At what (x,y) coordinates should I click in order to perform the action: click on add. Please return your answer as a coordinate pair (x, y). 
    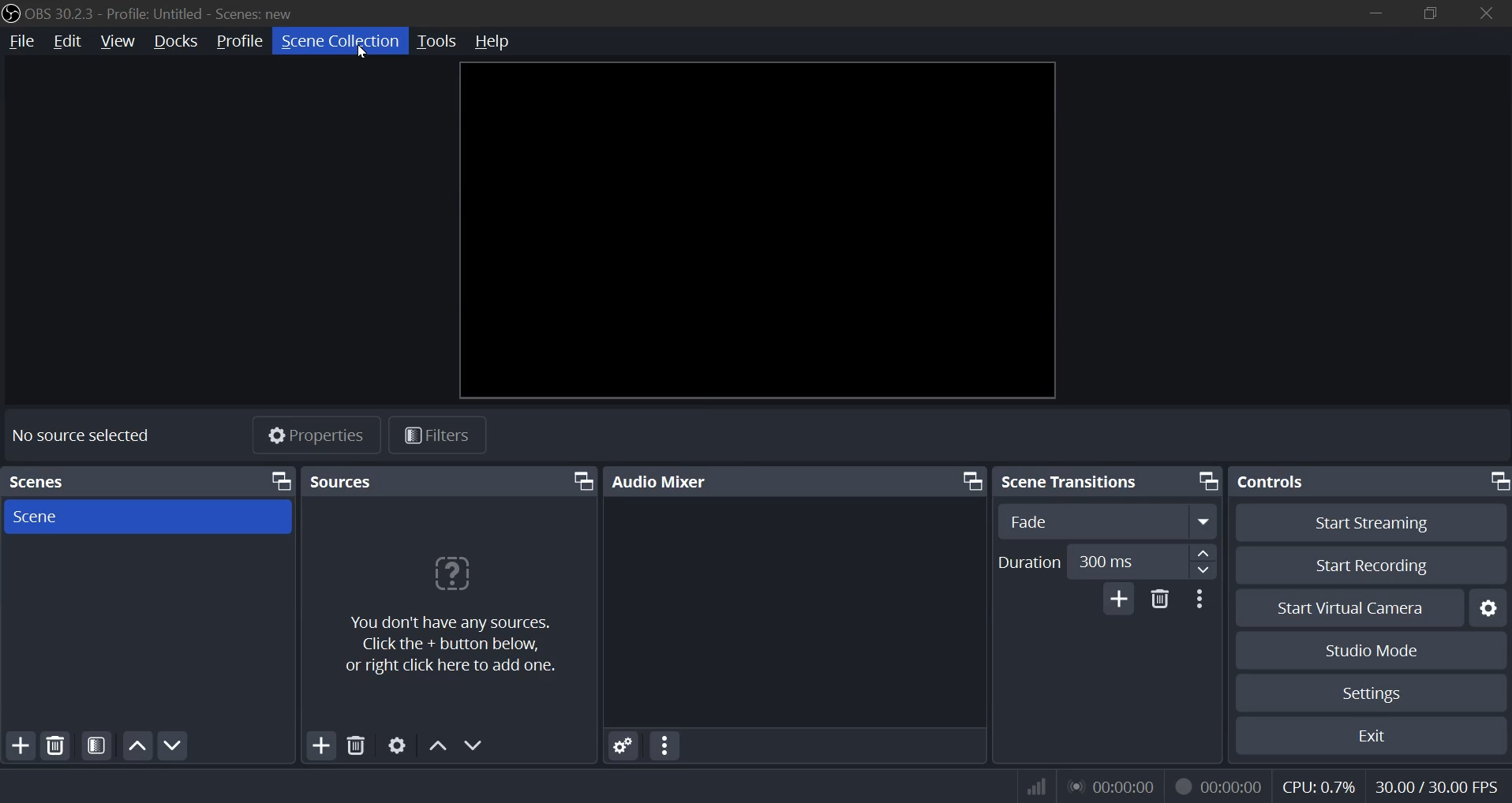
    Looking at the image, I should click on (320, 745).